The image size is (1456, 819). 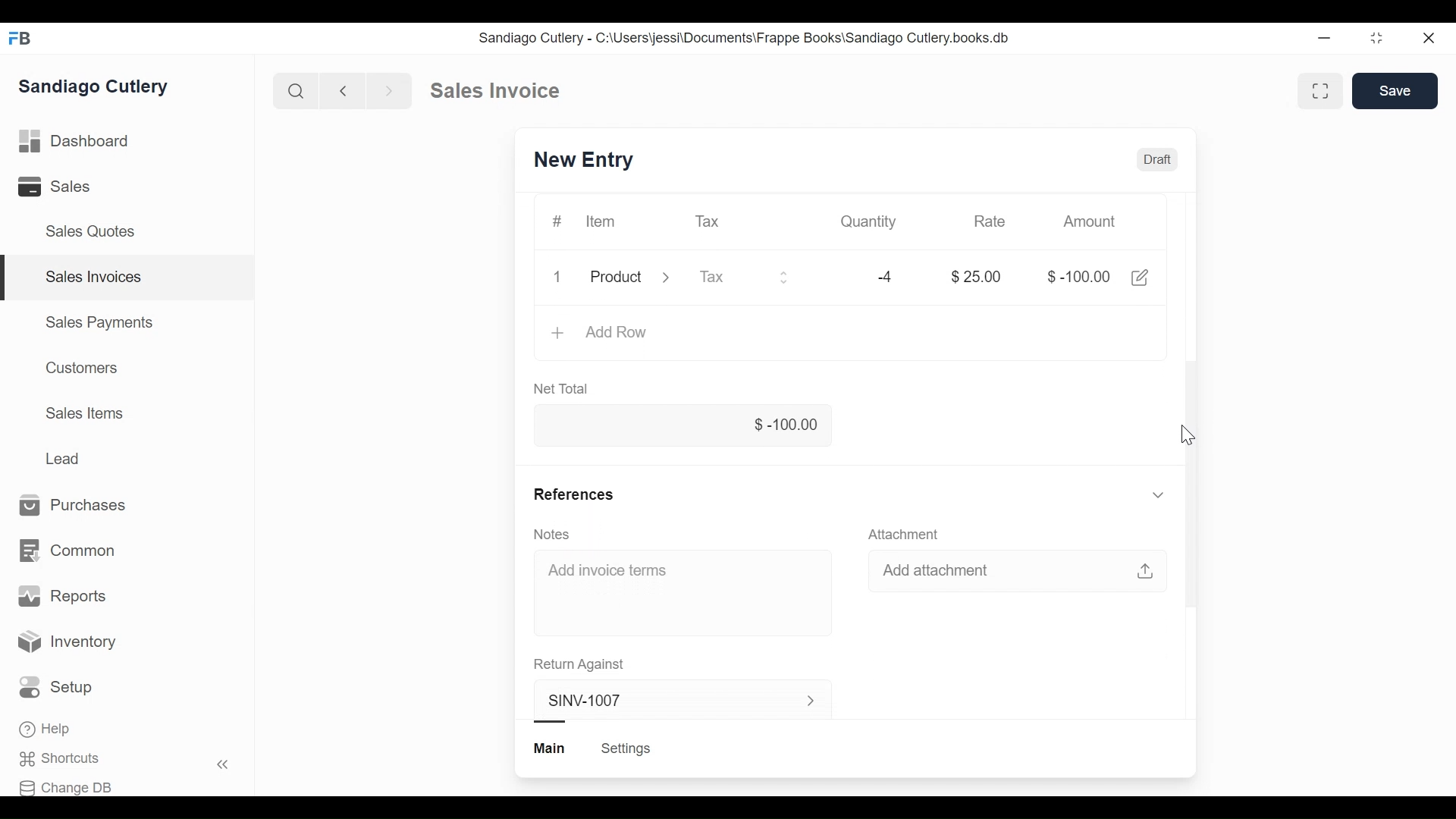 I want to click on Sales Items, so click(x=84, y=413).